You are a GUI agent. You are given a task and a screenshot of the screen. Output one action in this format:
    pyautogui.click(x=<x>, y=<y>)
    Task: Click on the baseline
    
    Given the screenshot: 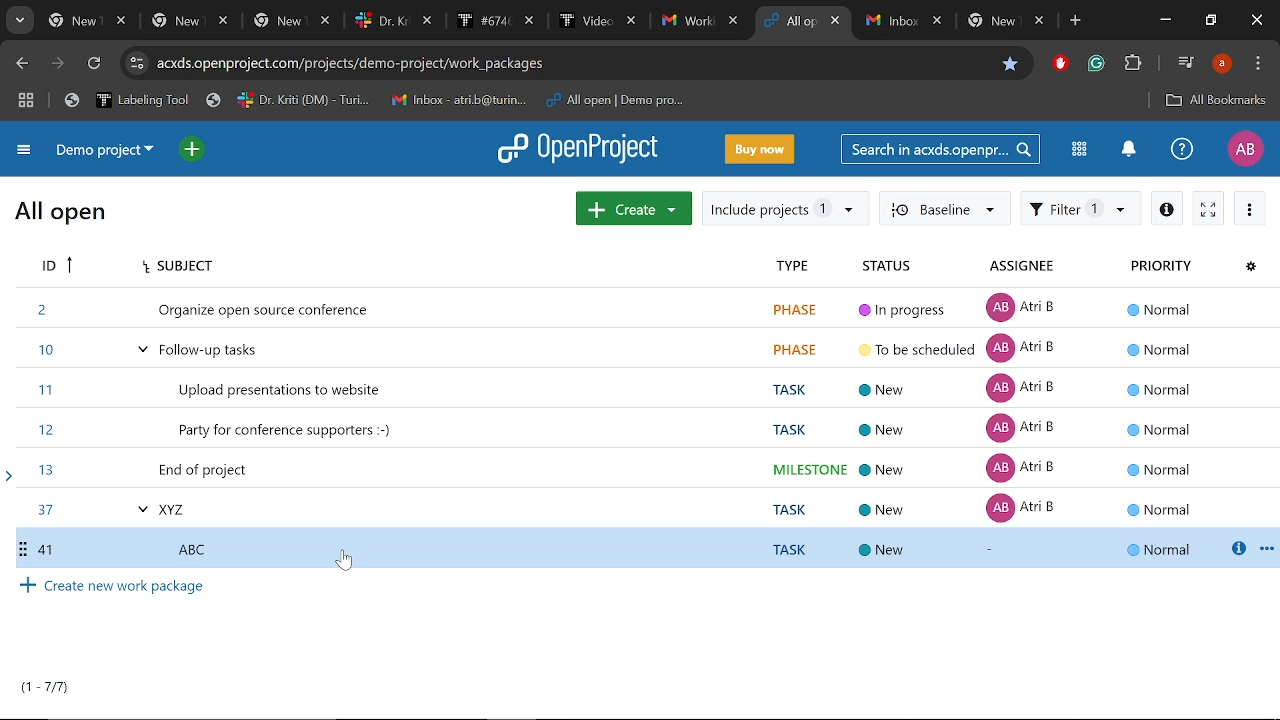 What is the action you would take?
    pyautogui.click(x=943, y=209)
    